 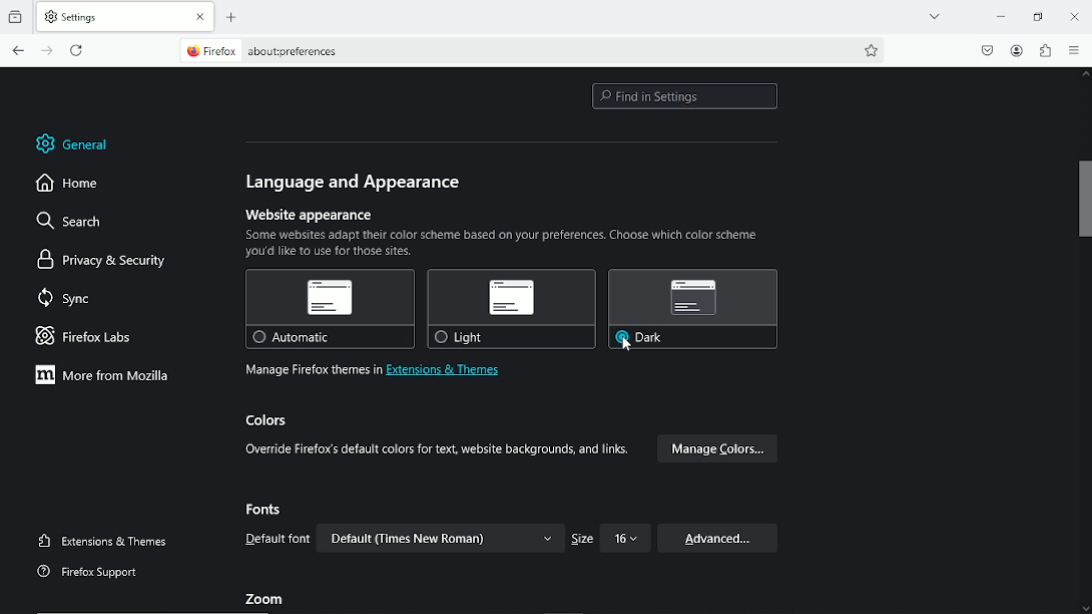 What do you see at coordinates (1076, 15) in the screenshot?
I see `Close` at bounding box center [1076, 15].